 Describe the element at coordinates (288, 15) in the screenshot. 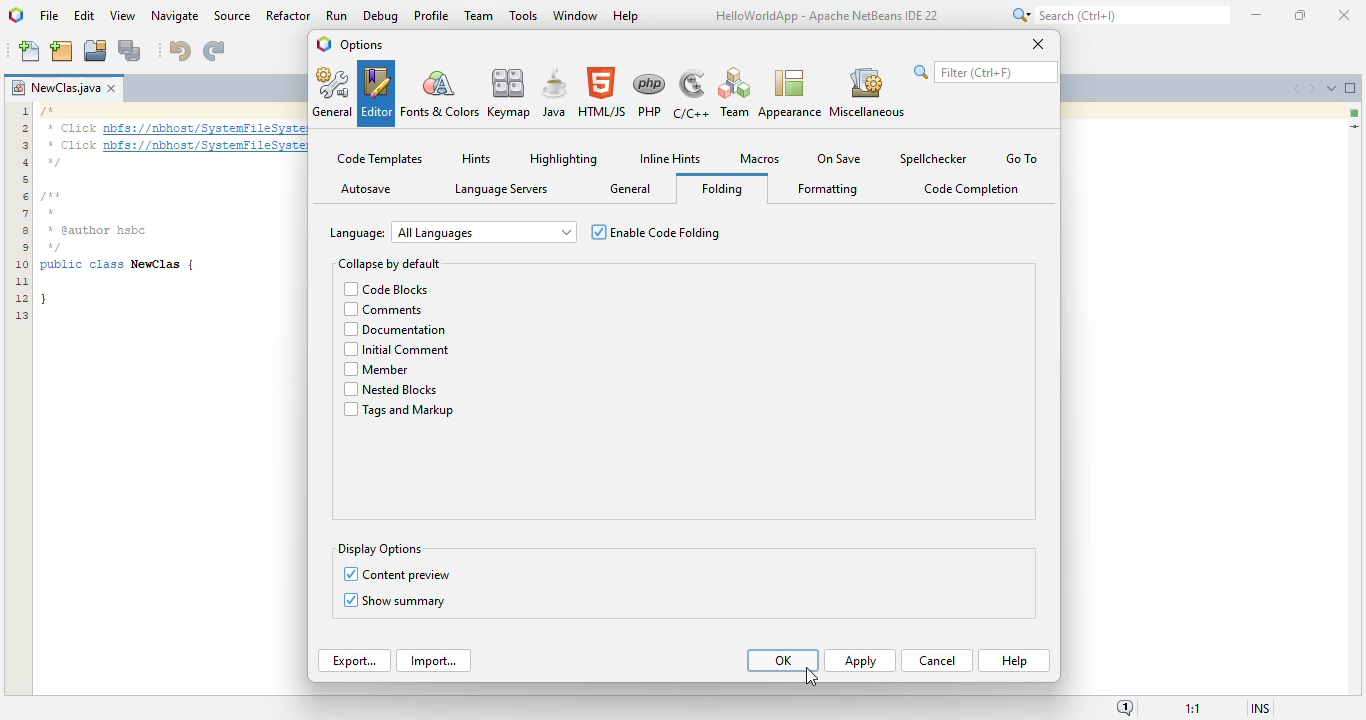

I see `refactor` at that location.